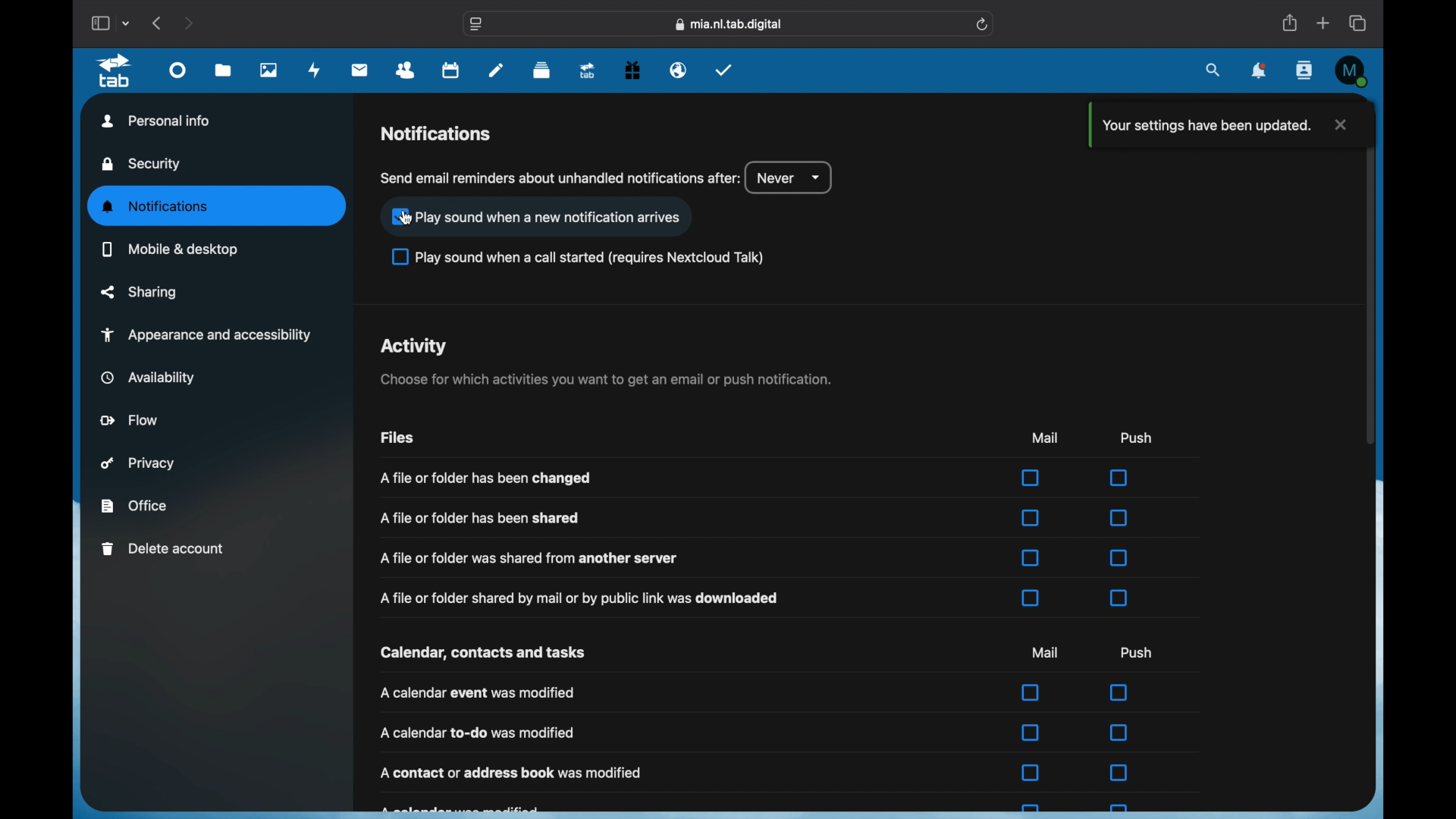 The height and width of the screenshot is (819, 1456). I want to click on photos, so click(268, 71).